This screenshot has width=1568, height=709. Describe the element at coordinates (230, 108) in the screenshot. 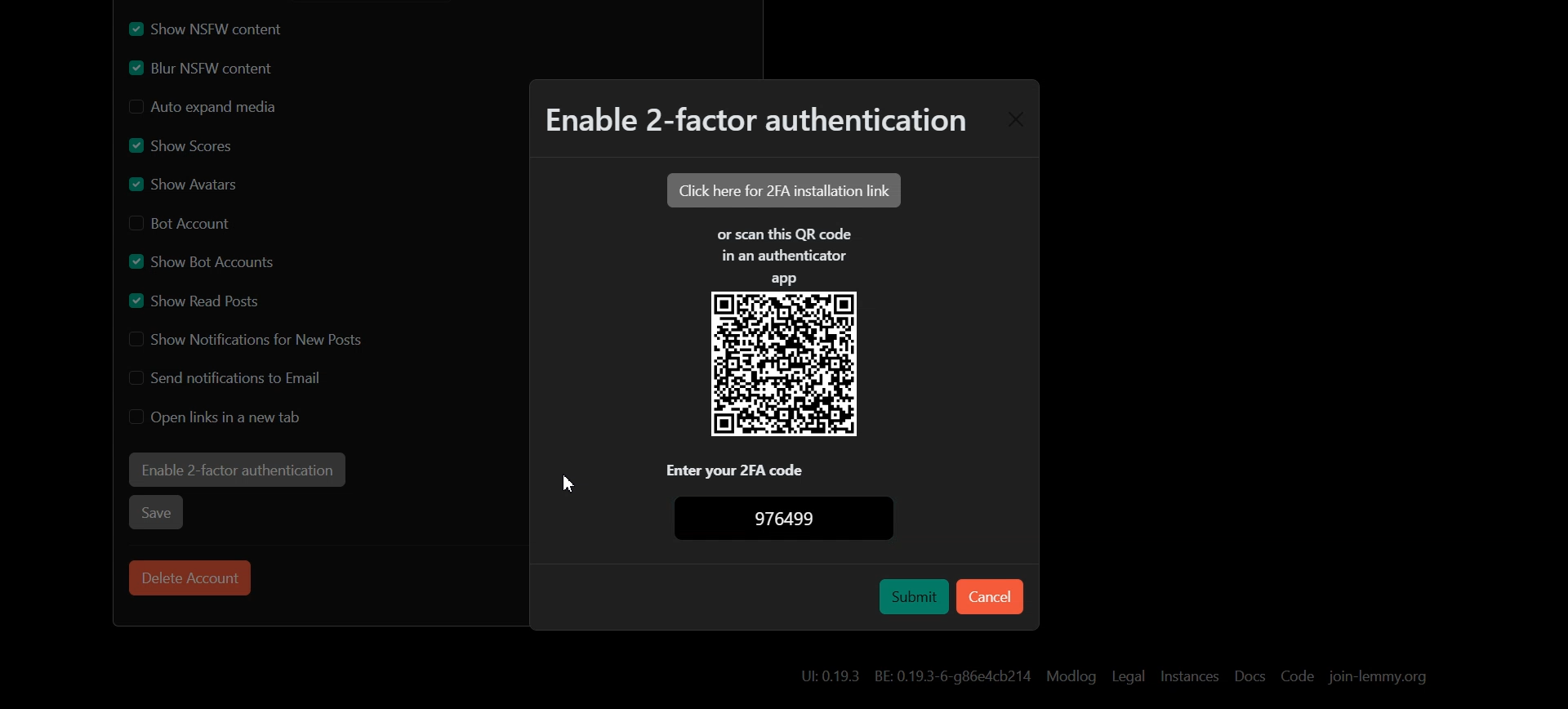

I see `Disable Auto expand media` at that location.